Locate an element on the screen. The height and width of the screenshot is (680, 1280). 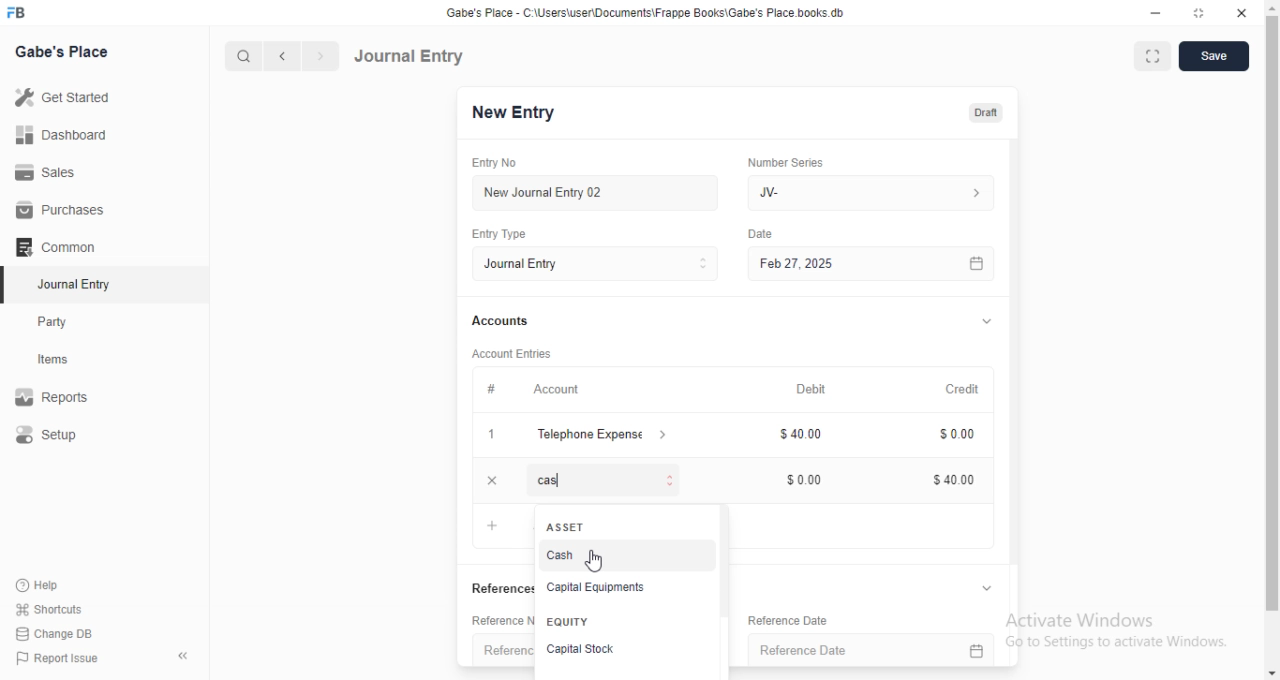
# is located at coordinates (499, 388).